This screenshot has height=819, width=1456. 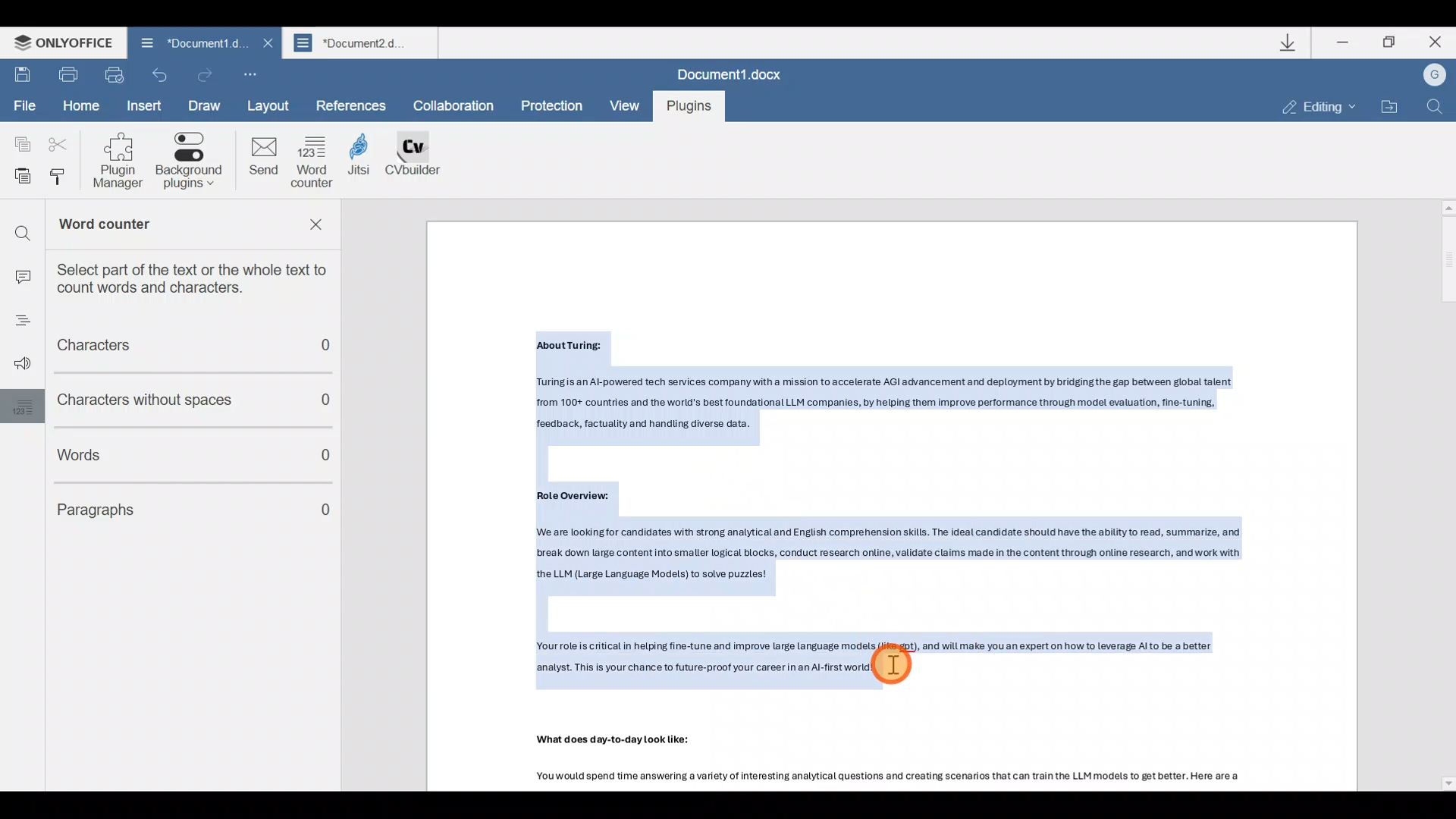 What do you see at coordinates (899, 385) in the screenshot?
I see `About Turing:

Turing is an Al-powered tech services company witha mission to accelerate AGI advancement and deployment by bridging the gap between global talent
from 100+ countries and the world's best foundational LLM companies, by helping them improve performance through model evaluation, fine-tuning,
feedback, factuality and handling diverse data.` at bounding box center [899, 385].